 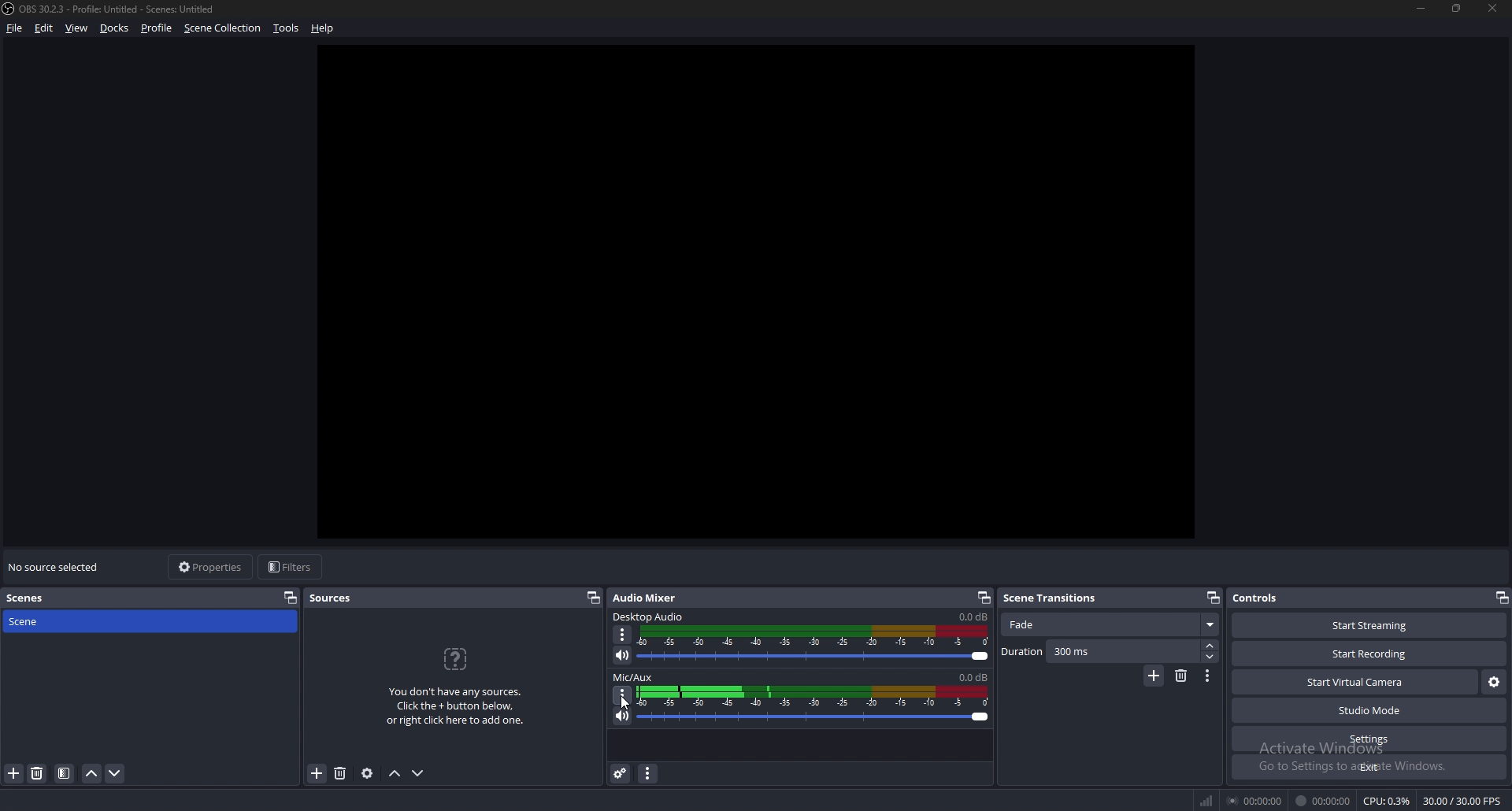 I want to click on start recording, so click(x=1369, y=654).